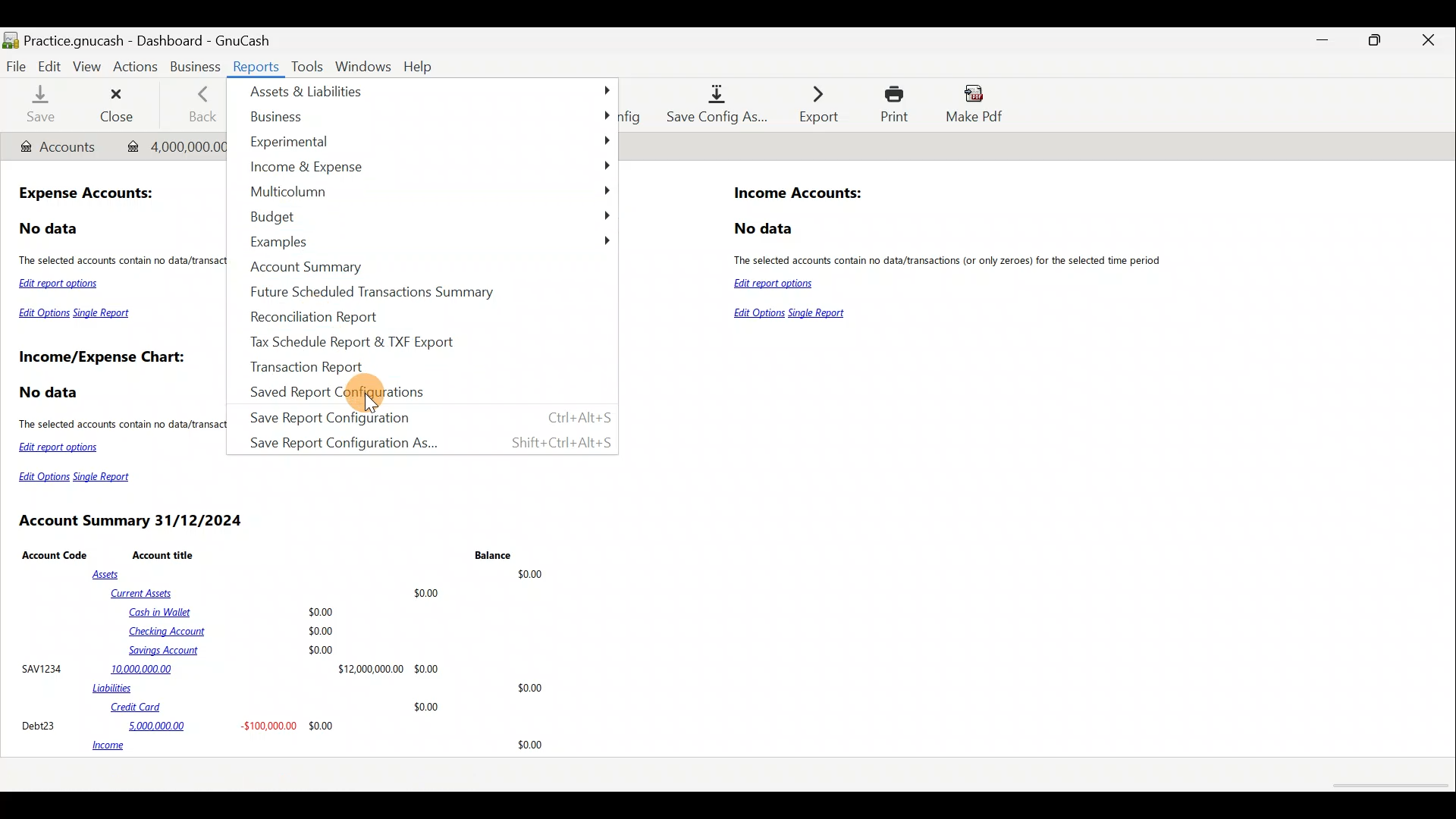 The width and height of the screenshot is (1456, 819). What do you see at coordinates (50, 229) in the screenshot?
I see `No data` at bounding box center [50, 229].